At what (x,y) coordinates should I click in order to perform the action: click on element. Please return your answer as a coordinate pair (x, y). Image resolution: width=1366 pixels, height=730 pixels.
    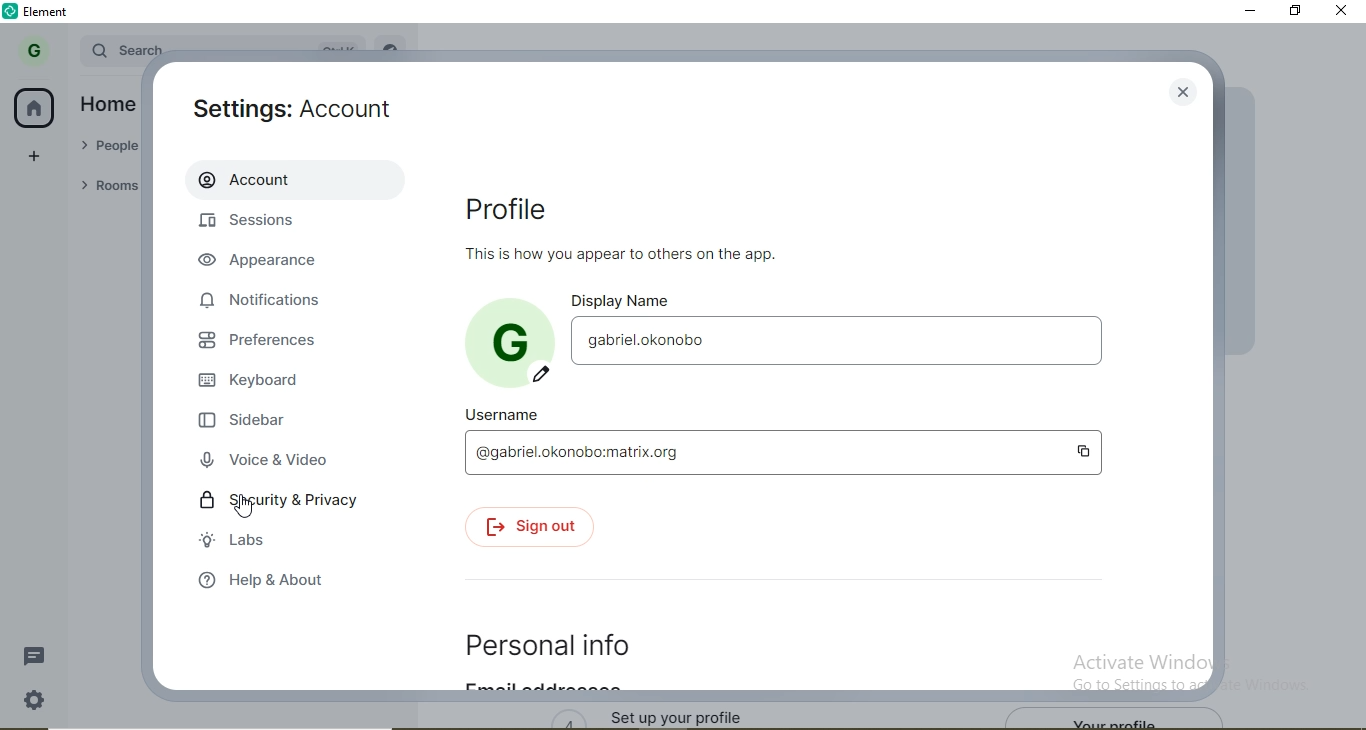
    Looking at the image, I should click on (51, 12).